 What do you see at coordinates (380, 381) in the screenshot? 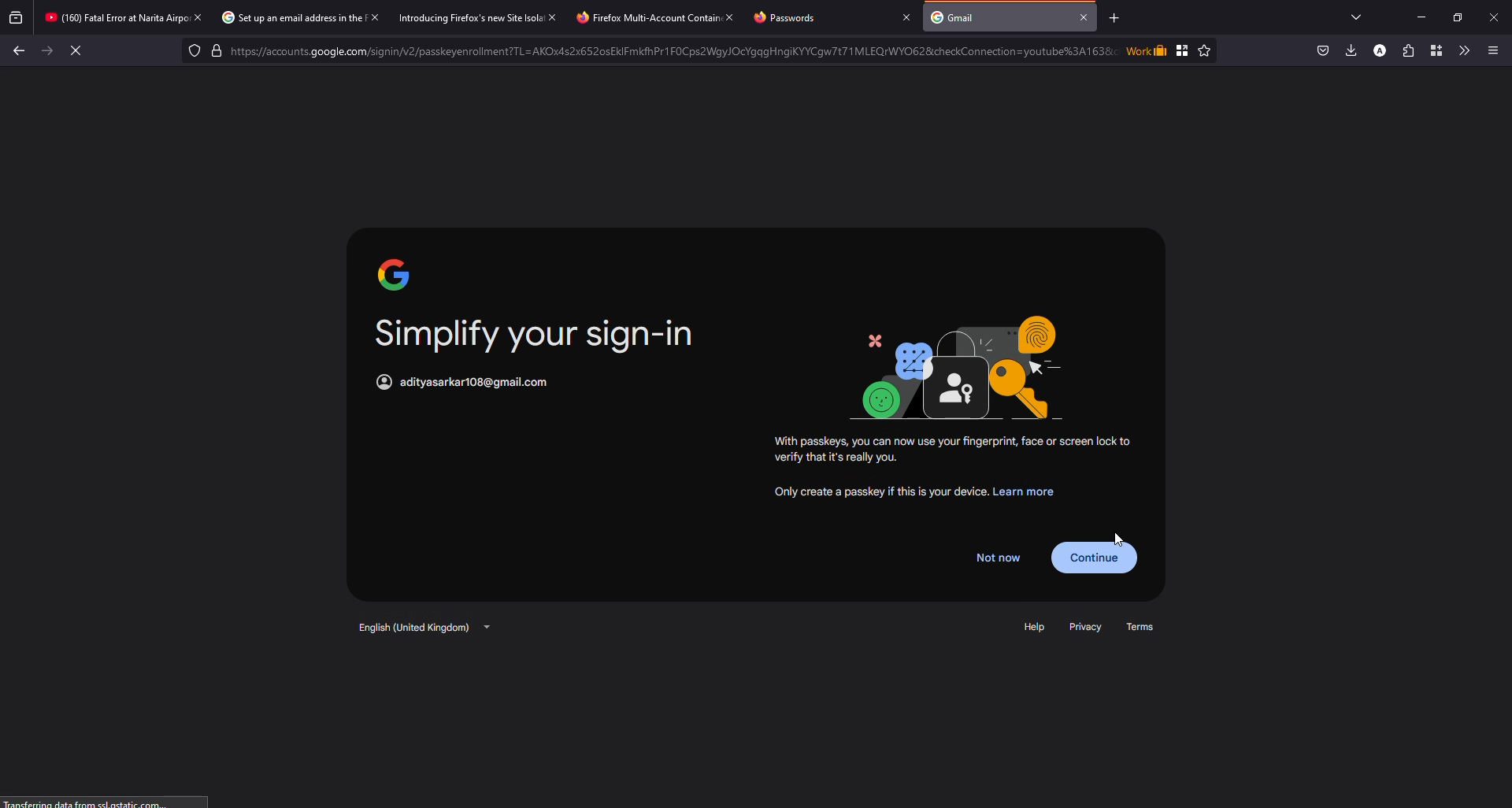
I see `icon` at bounding box center [380, 381].